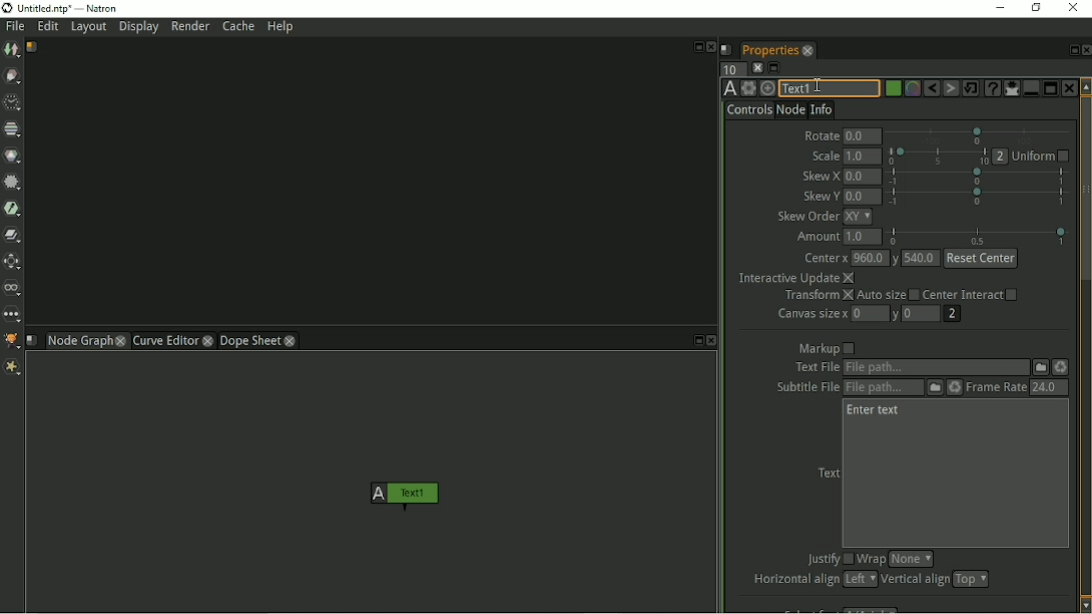 The width and height of the screenshot is (1092, 614). I want to click on Vertical align, so click(914, 580).